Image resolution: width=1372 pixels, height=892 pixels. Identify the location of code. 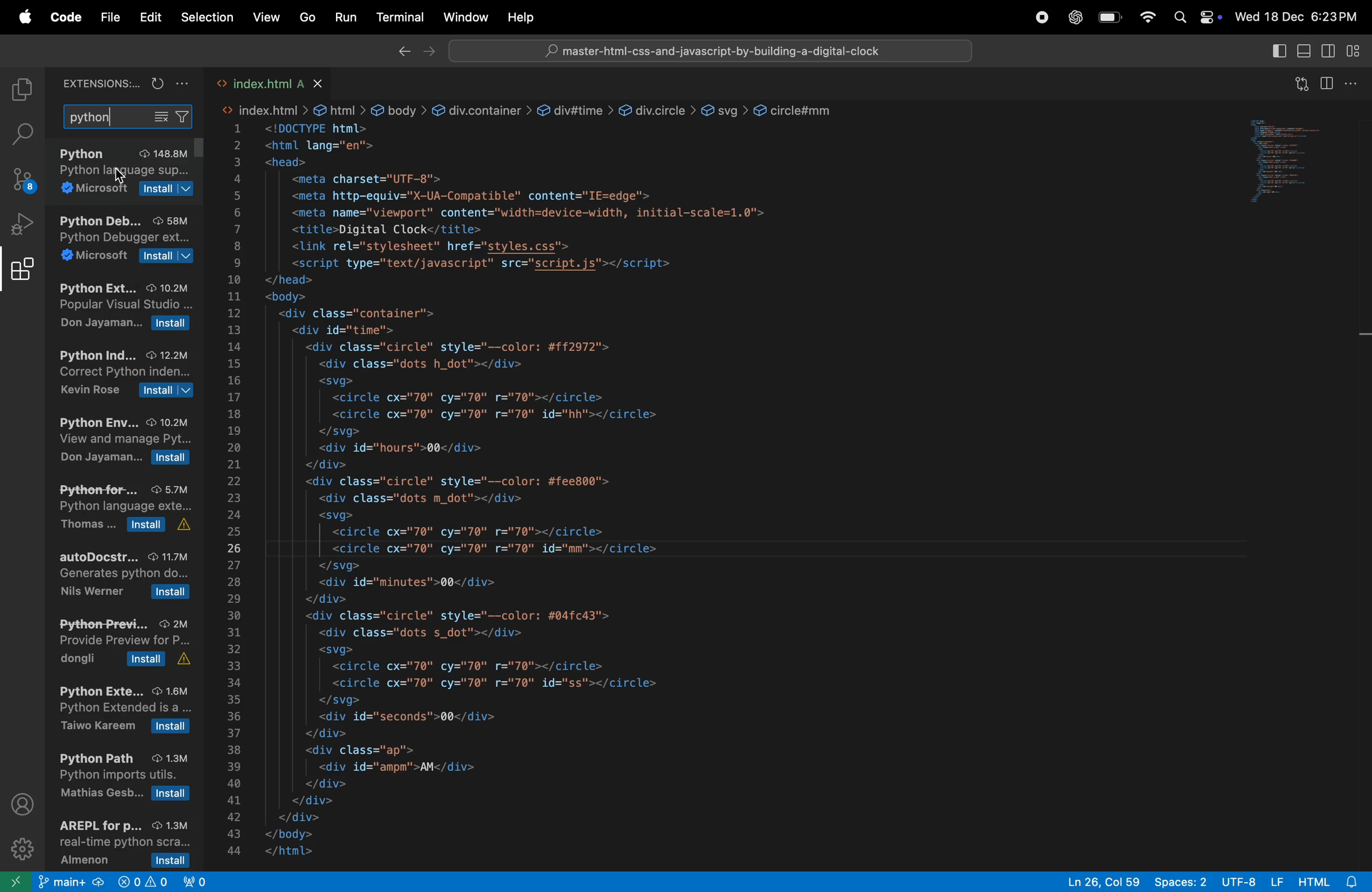
(64, 18).